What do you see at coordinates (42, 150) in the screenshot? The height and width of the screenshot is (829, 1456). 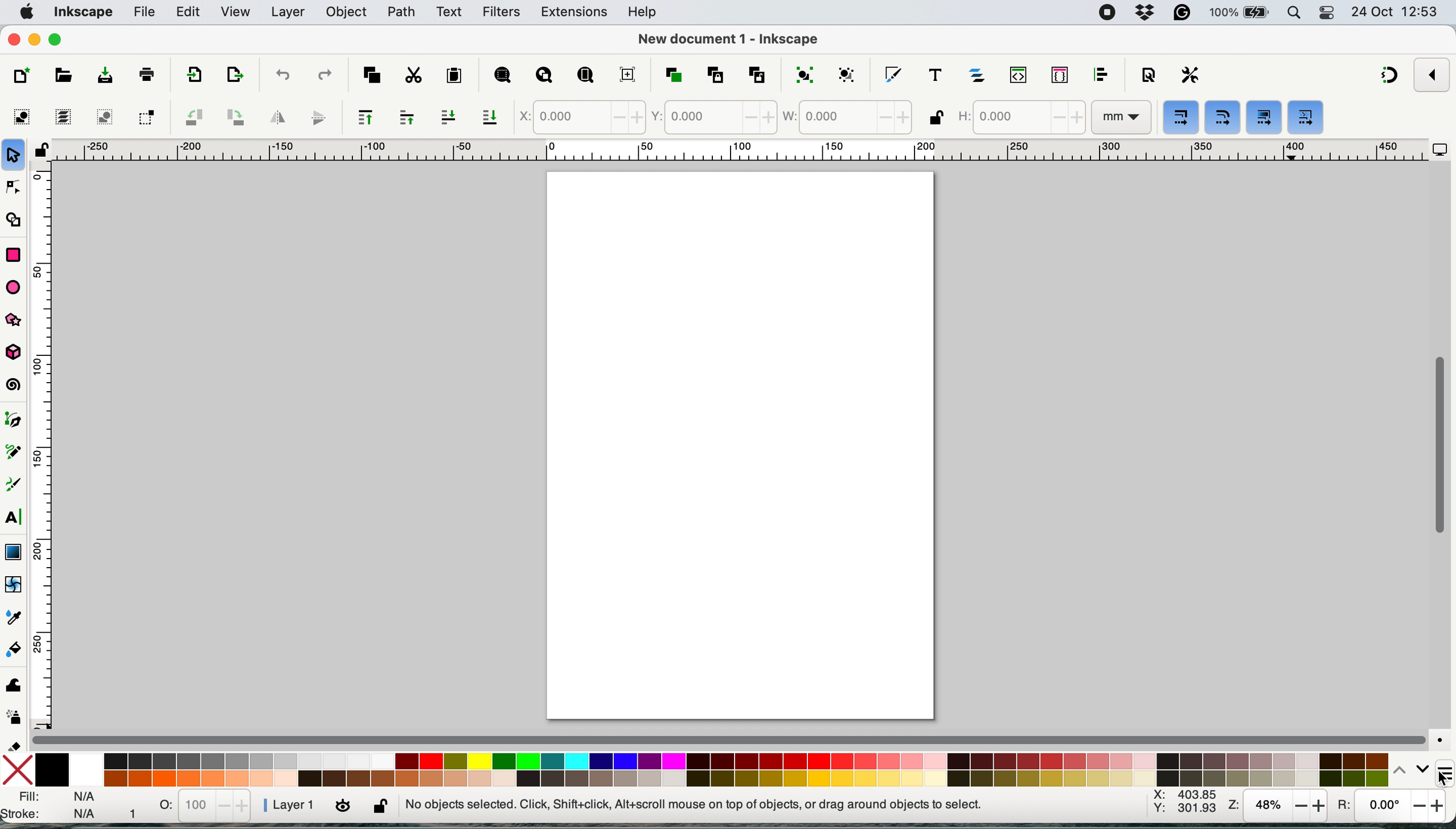 I see `toggle lock of all guides in this document` at bounding box center [42, 150].